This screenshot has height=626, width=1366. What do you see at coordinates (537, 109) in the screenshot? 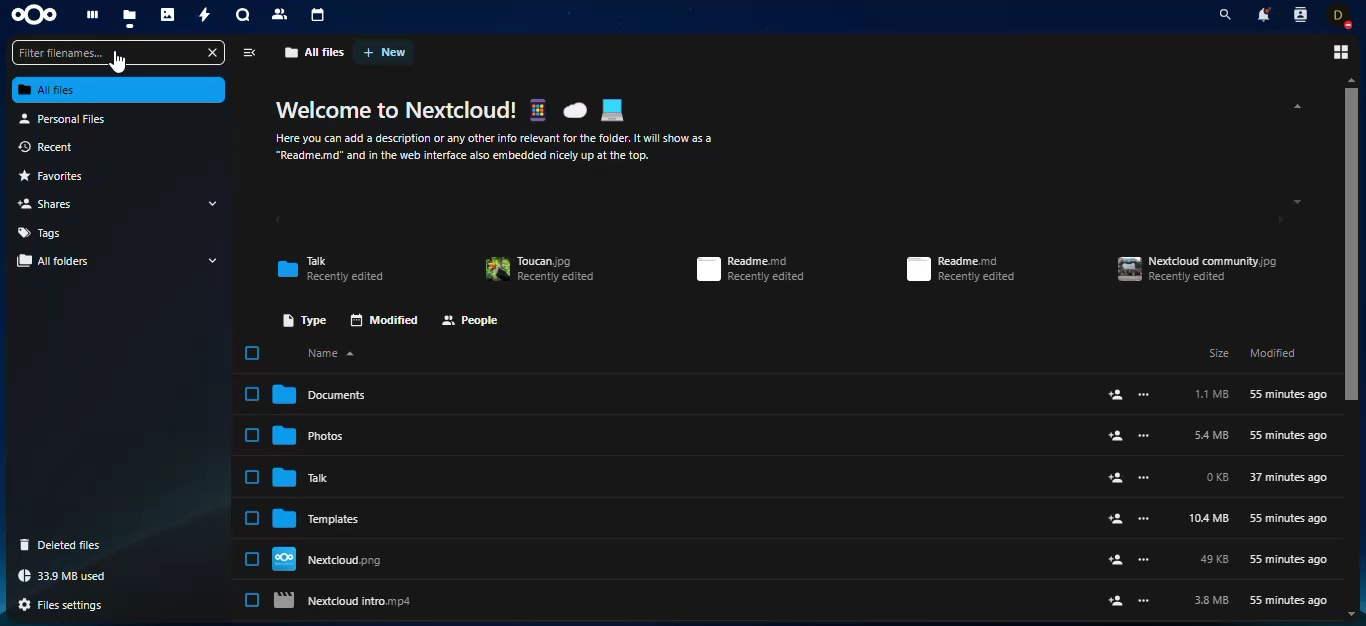
I see `Smartphone emoji` at bounding box center [537, 109].